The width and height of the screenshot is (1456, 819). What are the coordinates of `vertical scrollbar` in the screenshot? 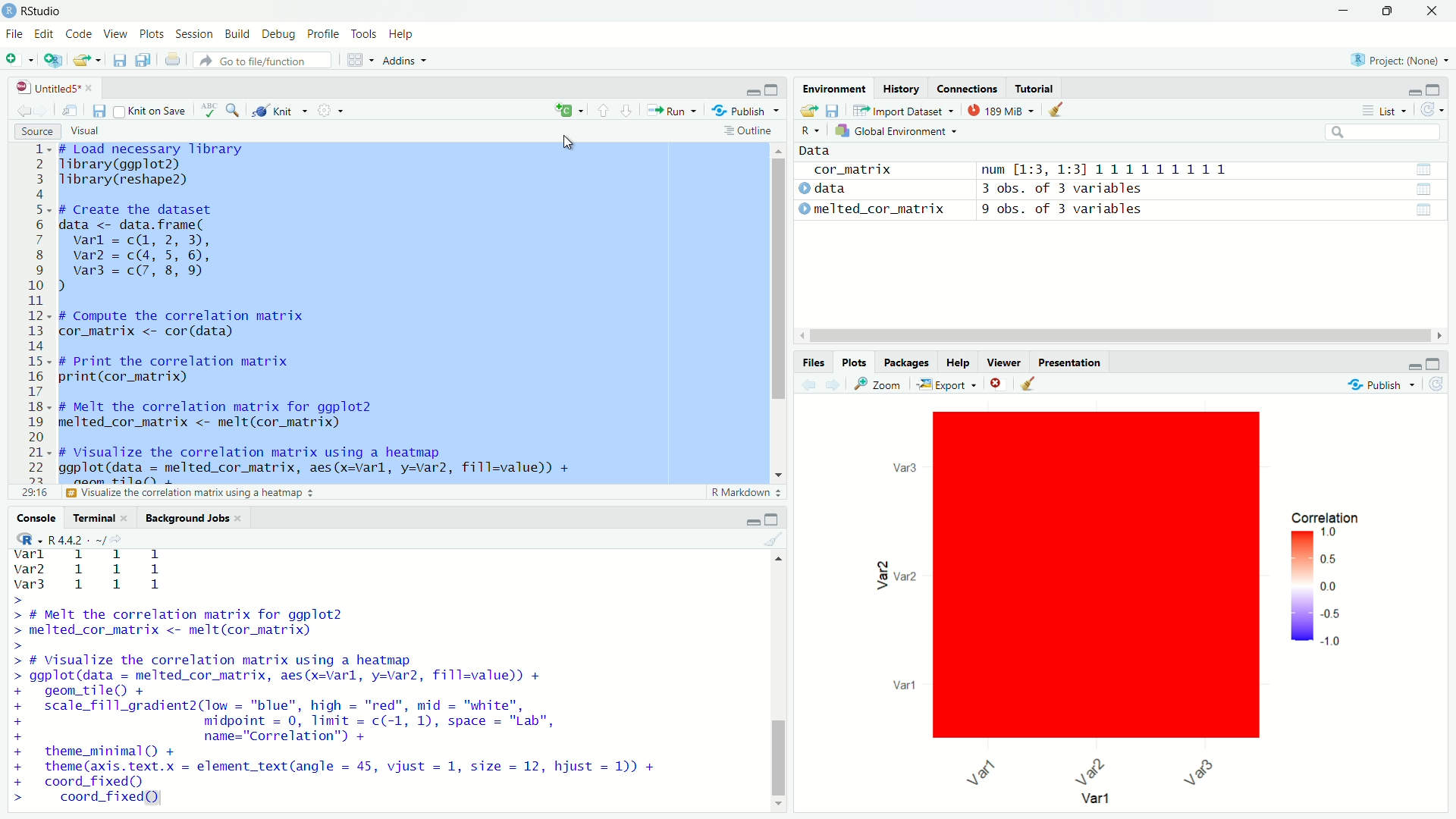 It's located at (780, 756).